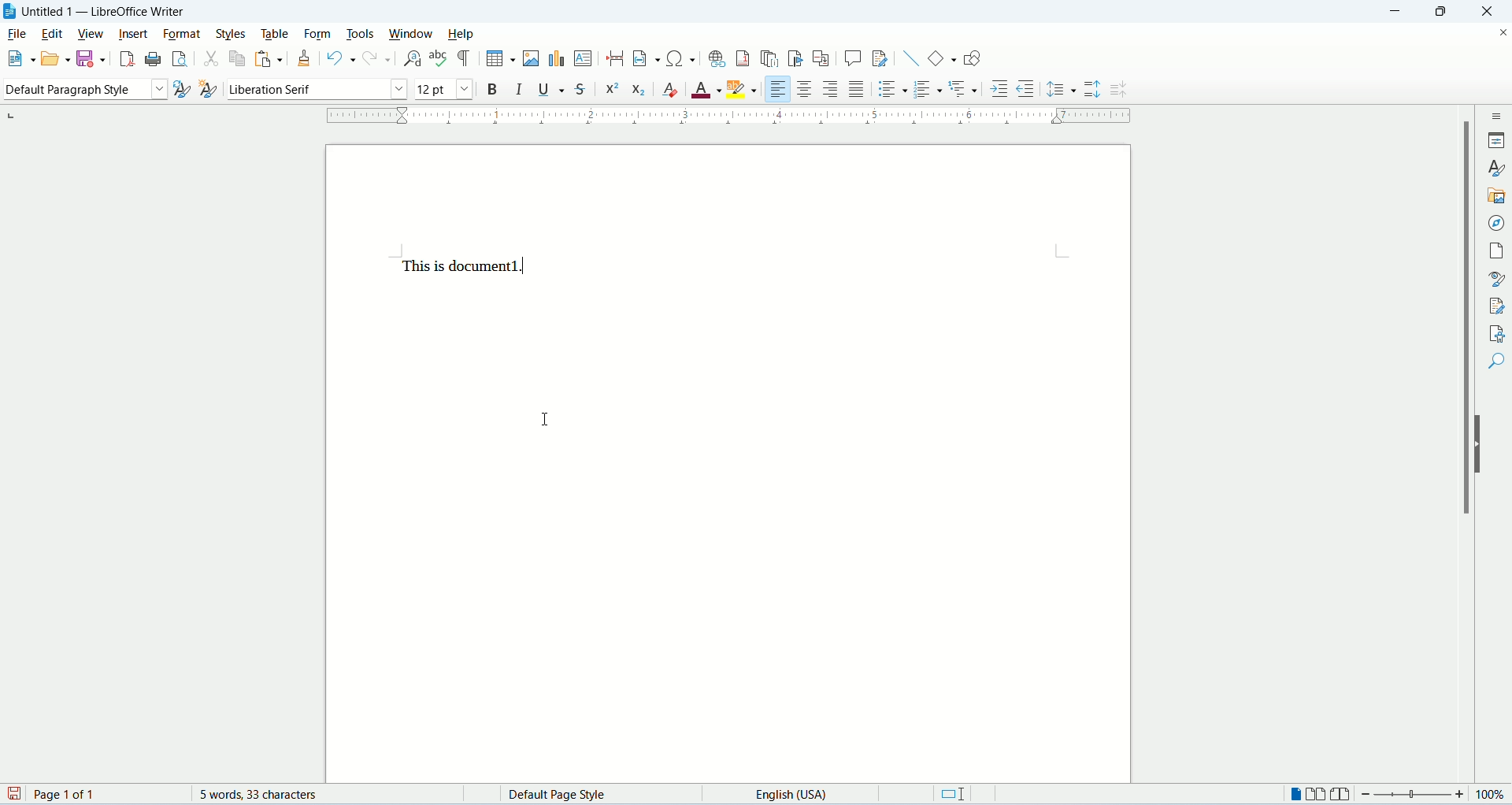 The height and width of the screenshot is (805, 1512). I want to click on insert, so click(132, 34).